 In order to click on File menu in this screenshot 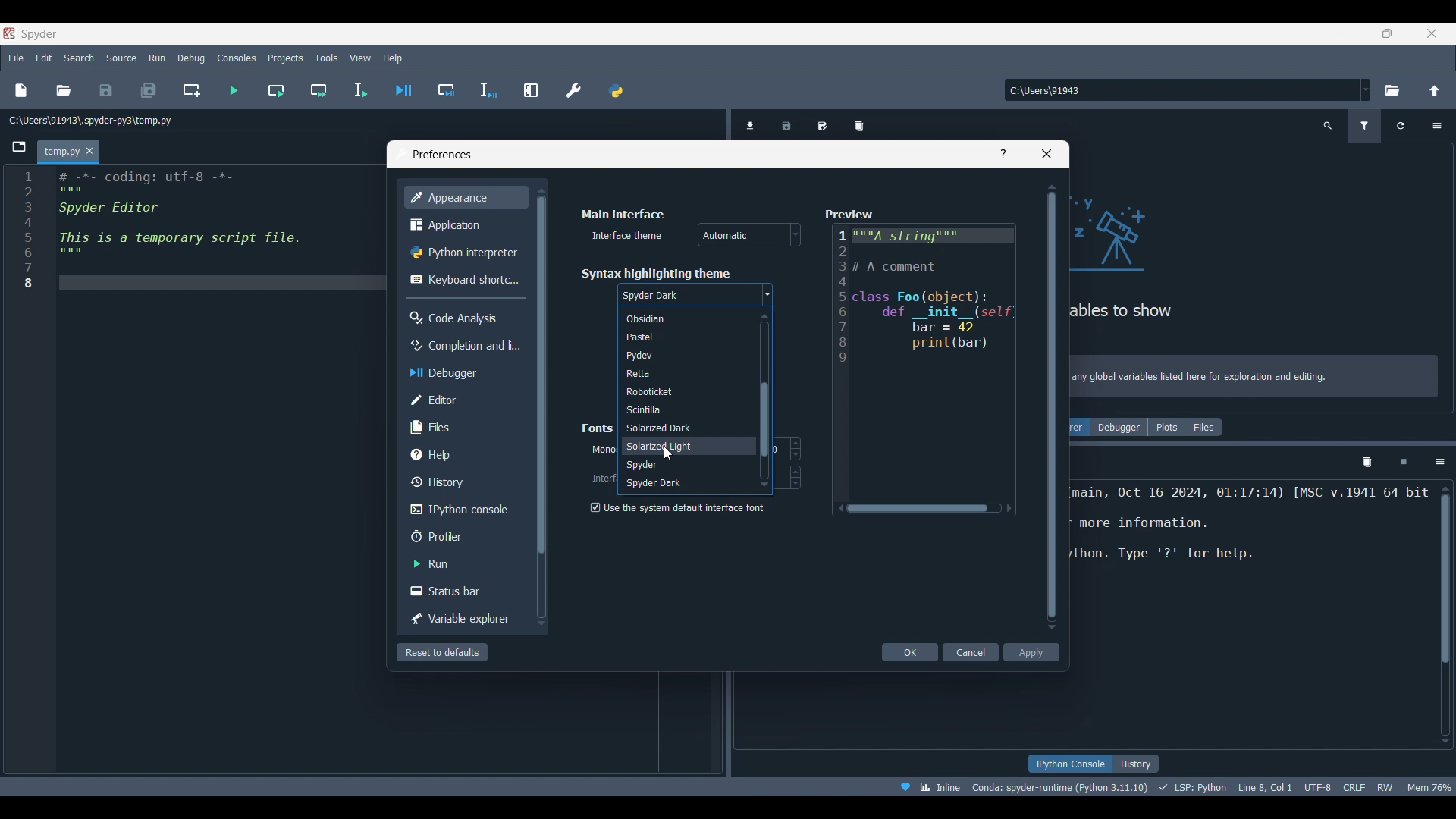, I will do `click(17, 58)`.